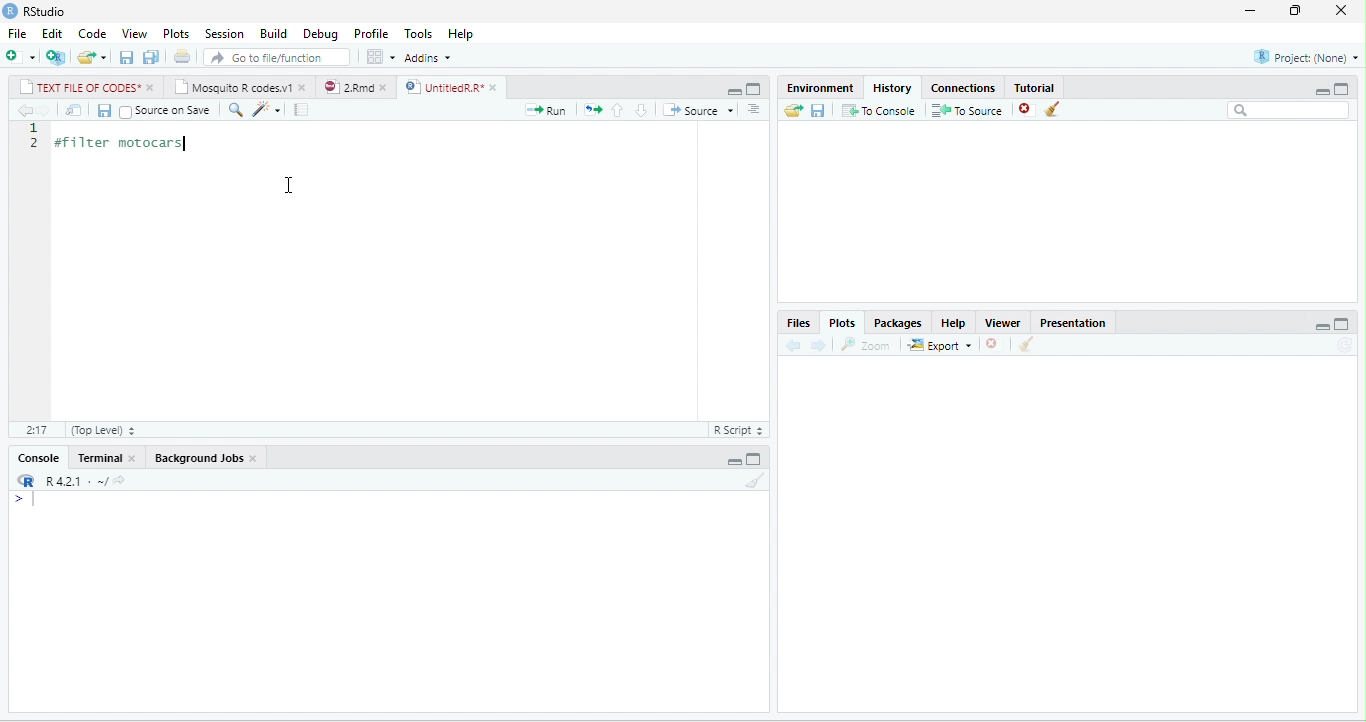 Image resolution: width=1366 pixels, height=722 pixels. What do you see at coordinates (738, 430) in the screenshot?
I see `R script` at bounding box center [738, 430].